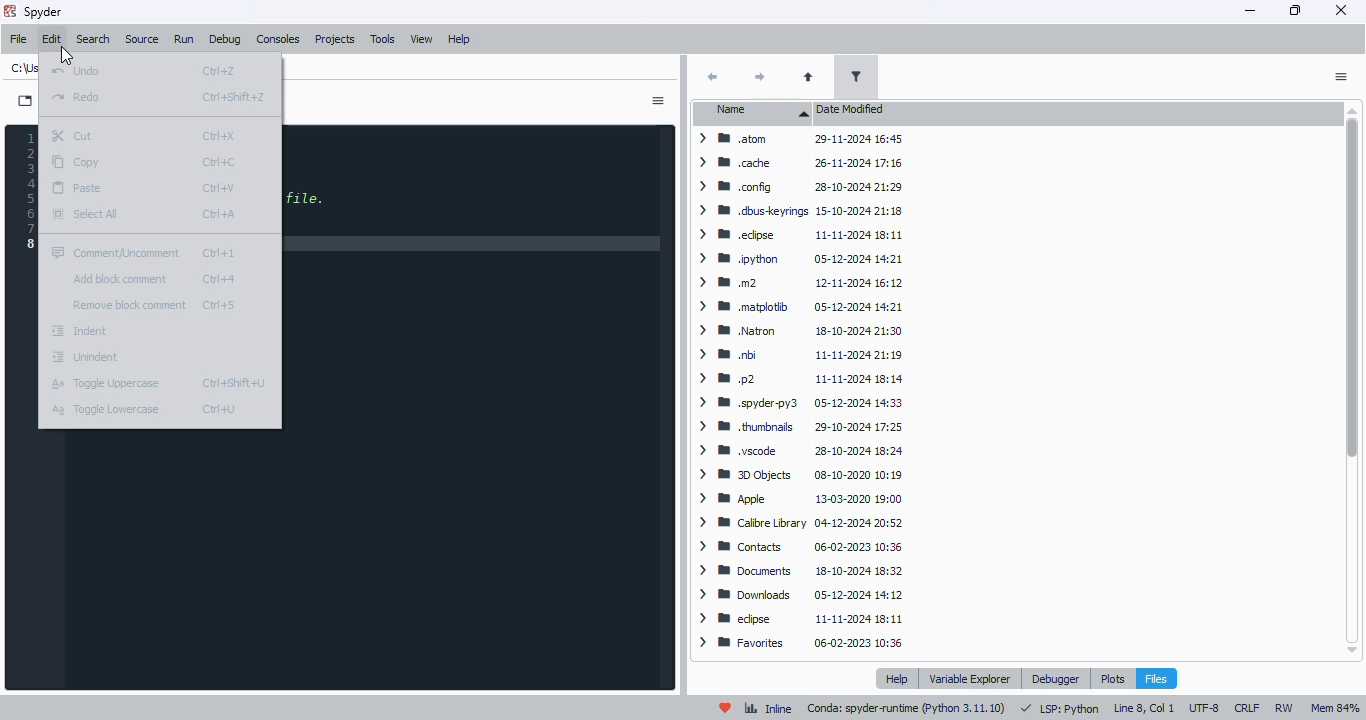 The image size is (1366, 720). I want to click on help spyder!, so click(726, 708).